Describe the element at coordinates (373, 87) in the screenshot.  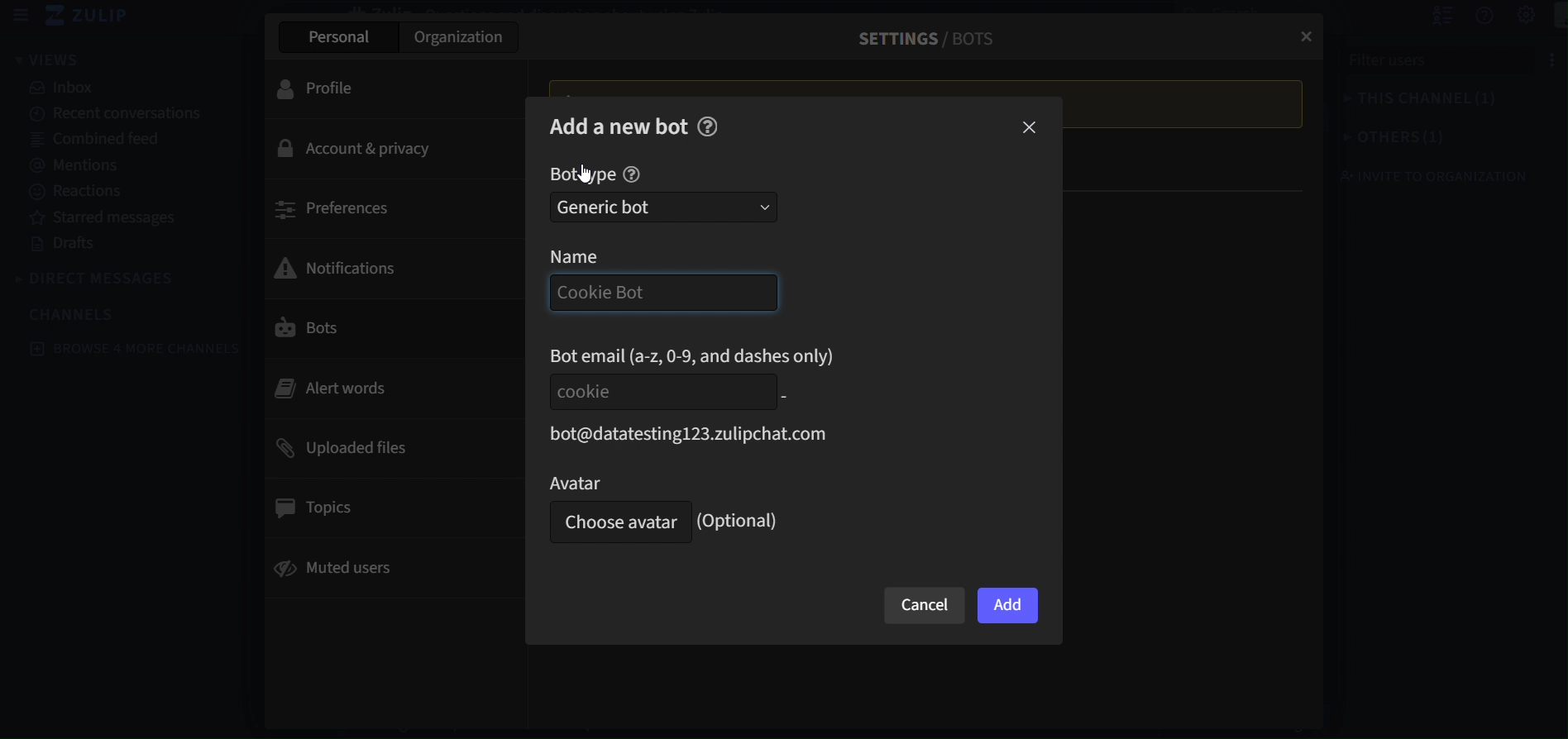
I see `profile` at that location.